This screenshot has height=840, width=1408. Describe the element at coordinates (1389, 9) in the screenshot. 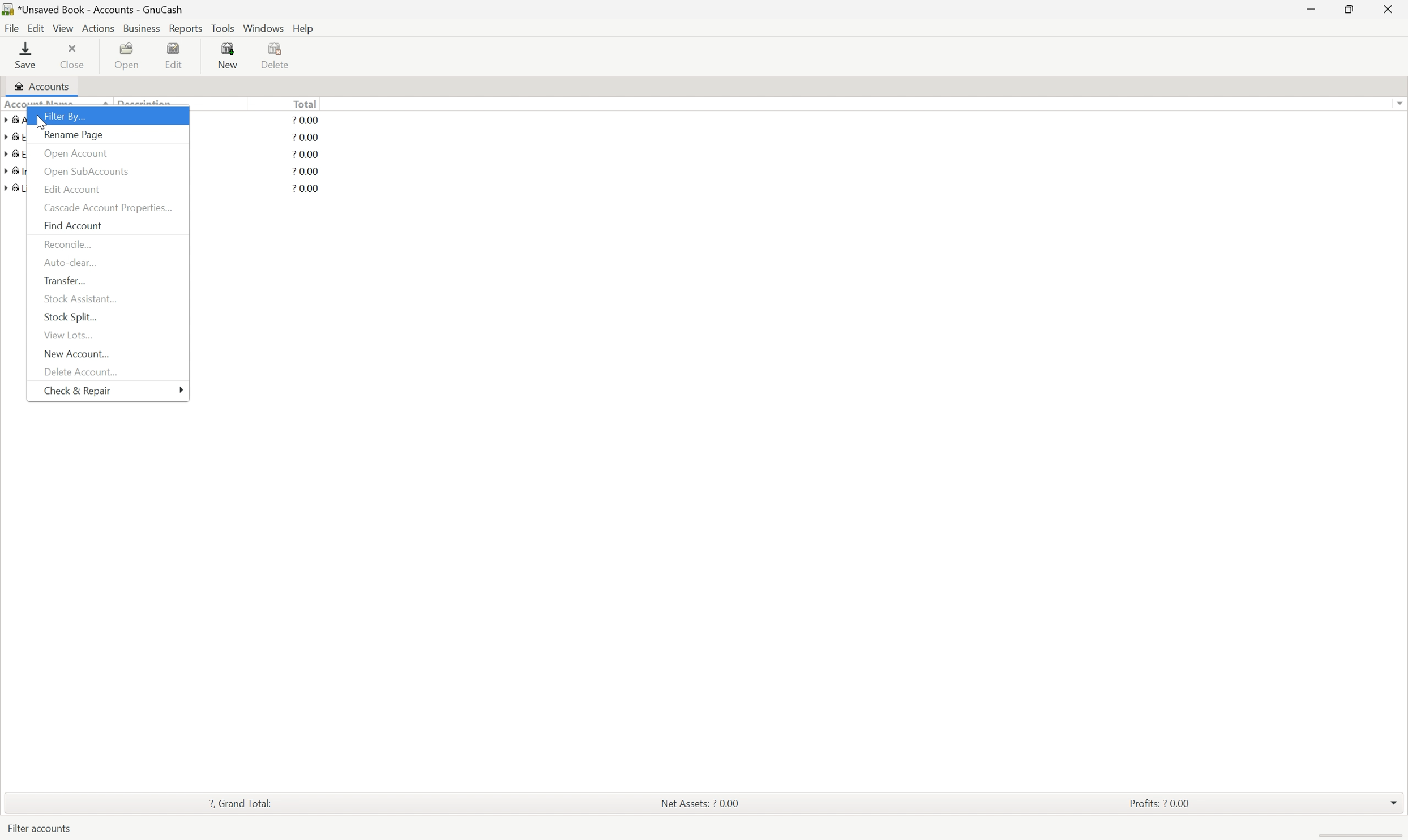

I see `close` at that location.